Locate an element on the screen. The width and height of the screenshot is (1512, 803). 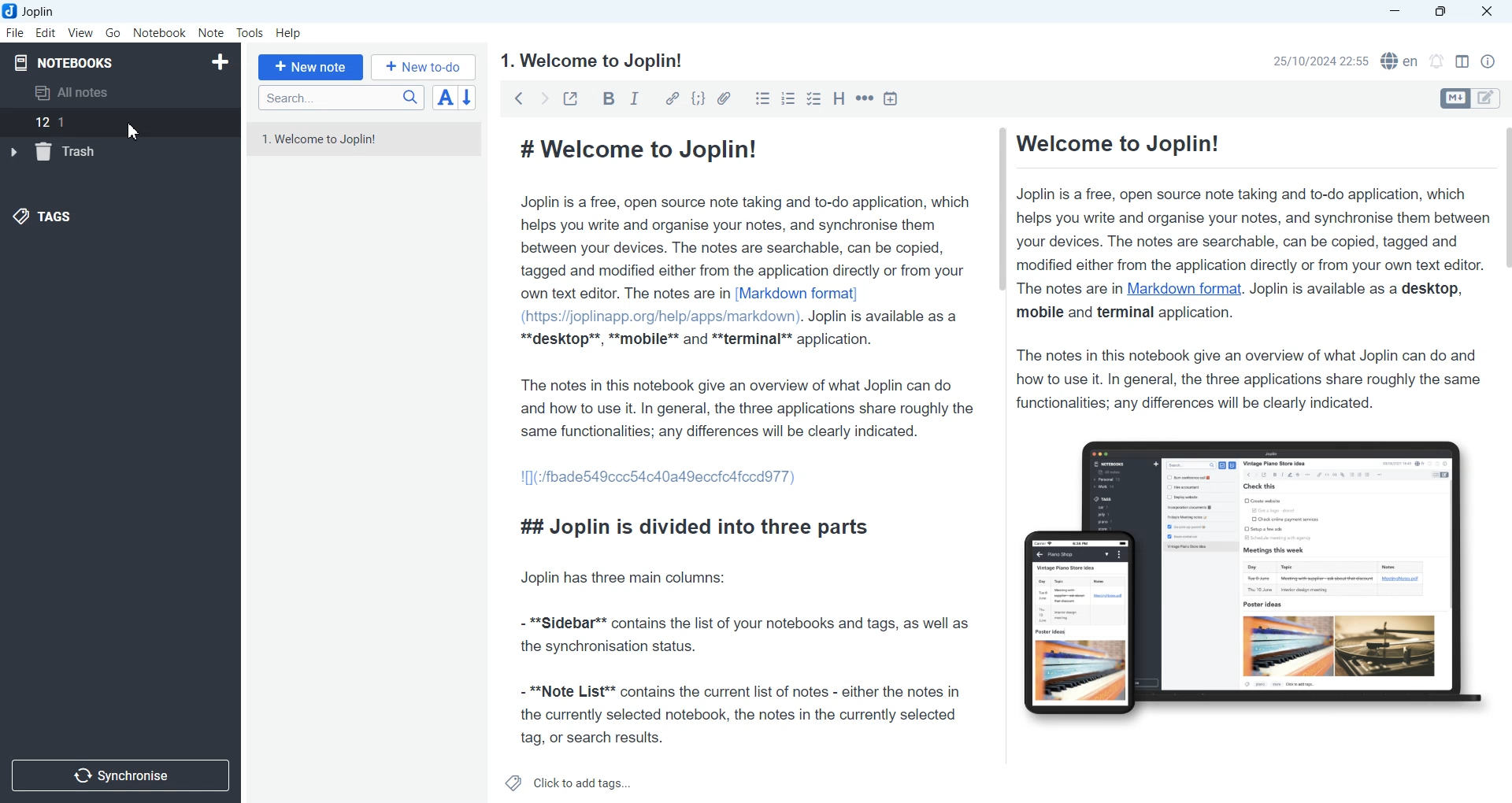
+ New note is located at coordinates (311, 67).